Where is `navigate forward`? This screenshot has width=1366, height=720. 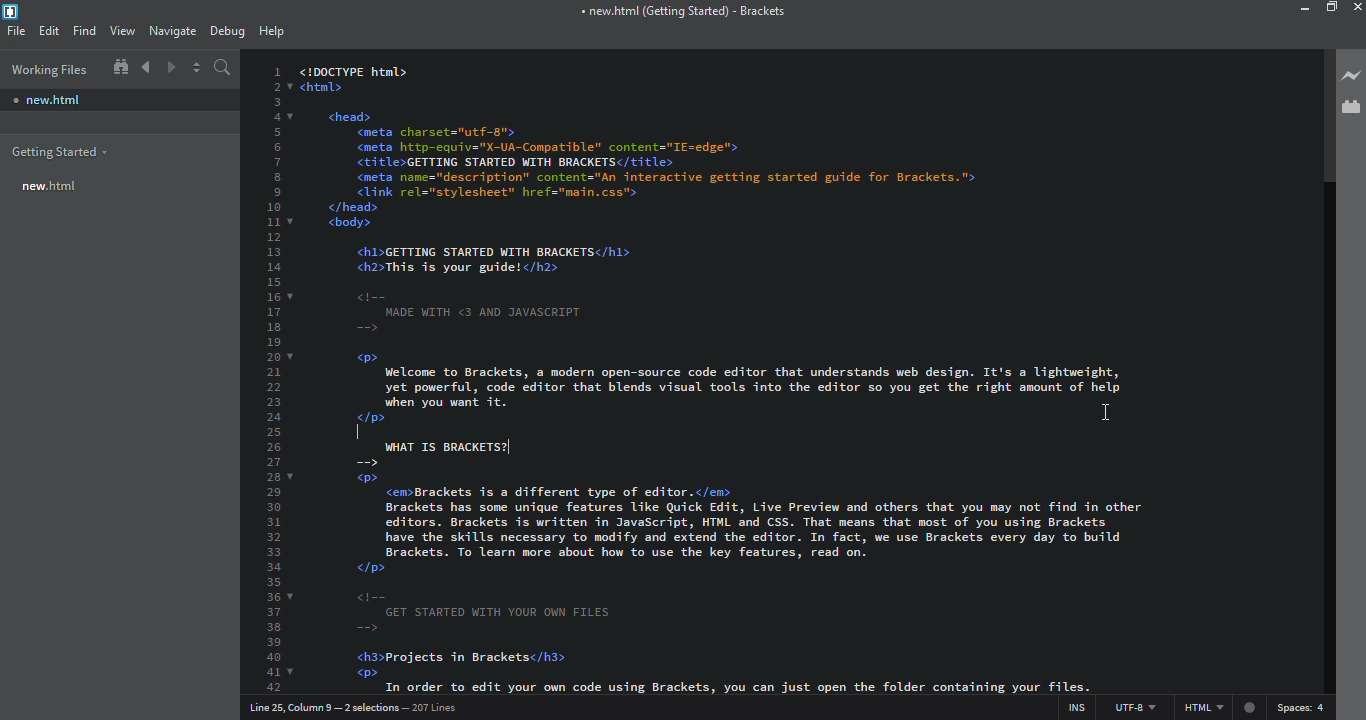 navigate forward is located at coordinates (173, 68).